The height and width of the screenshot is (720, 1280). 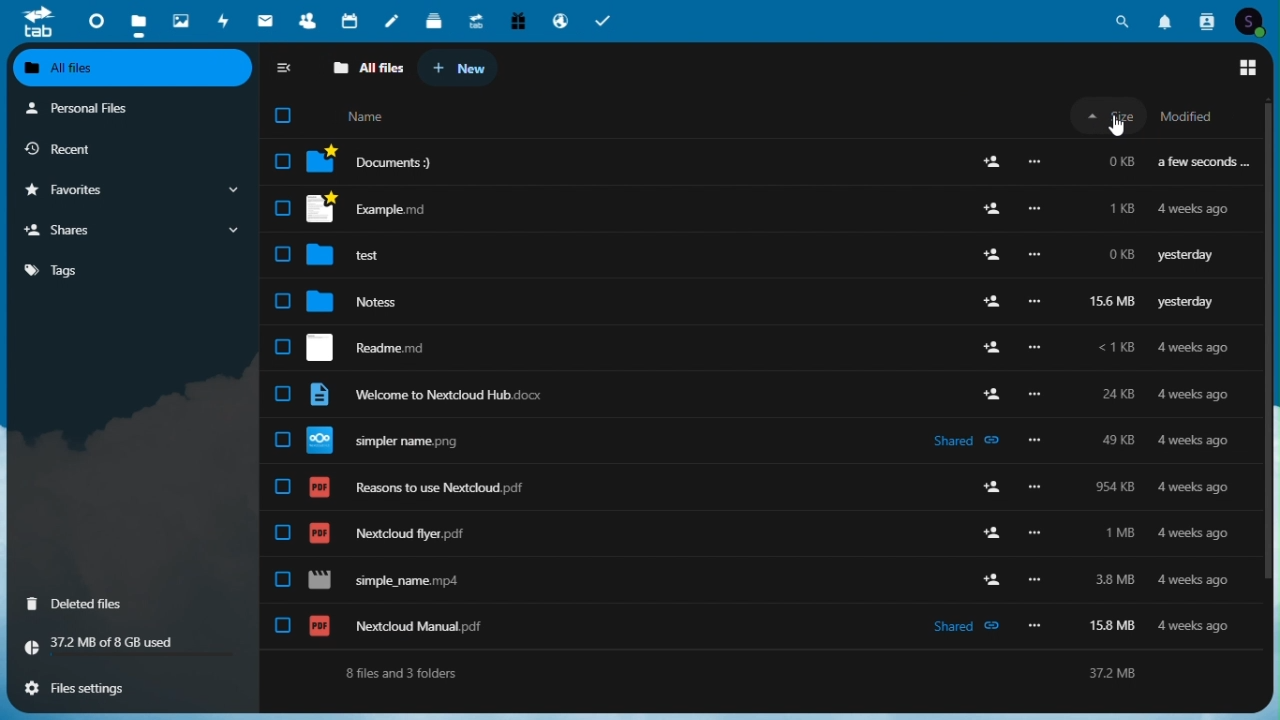 What do you see at coordinates (743, 306) in the screenshot?
I see `Notes` at bounding box center [743, 306].